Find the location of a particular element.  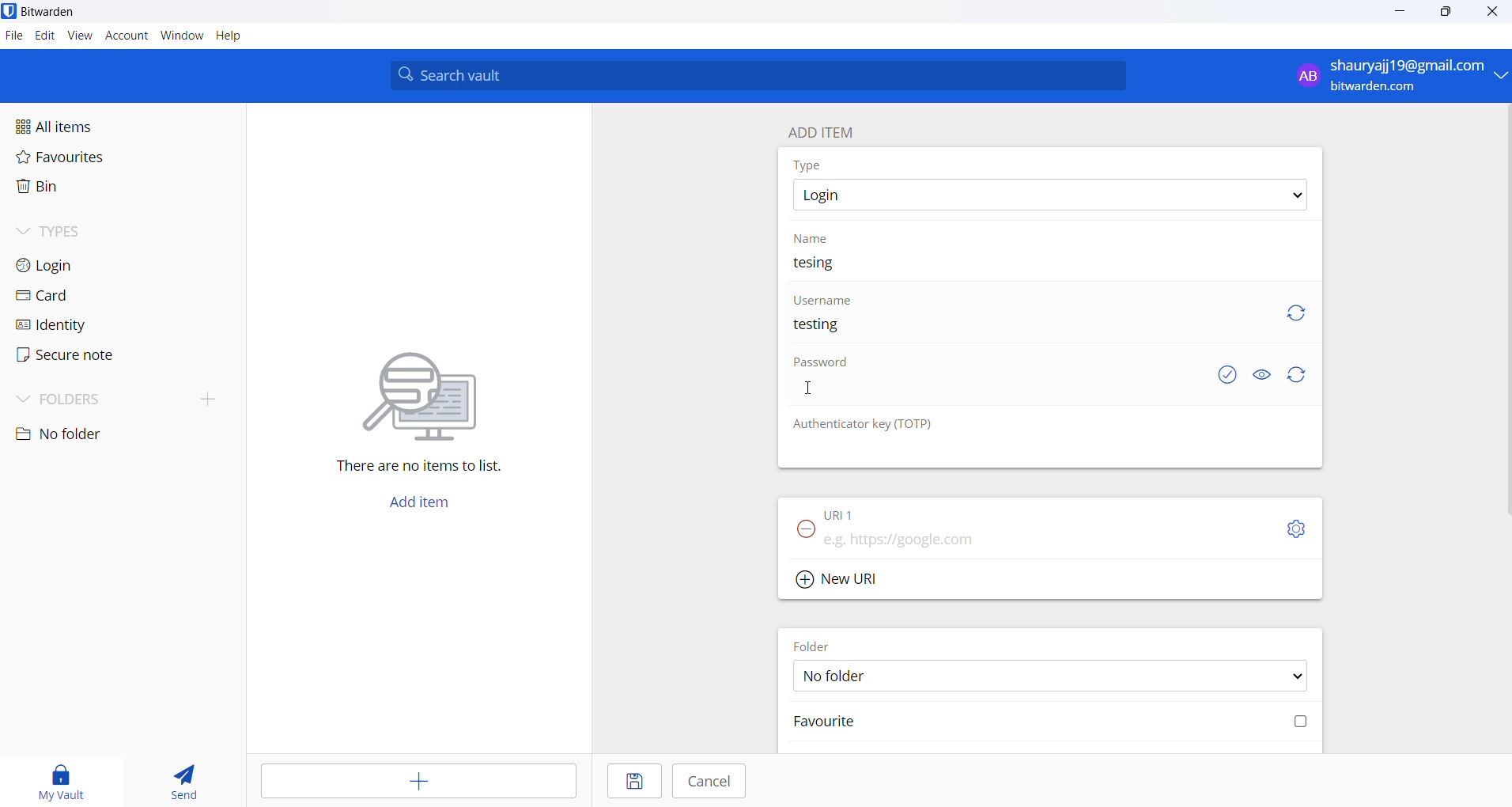

URL1 is located at coordinates (853, 511).